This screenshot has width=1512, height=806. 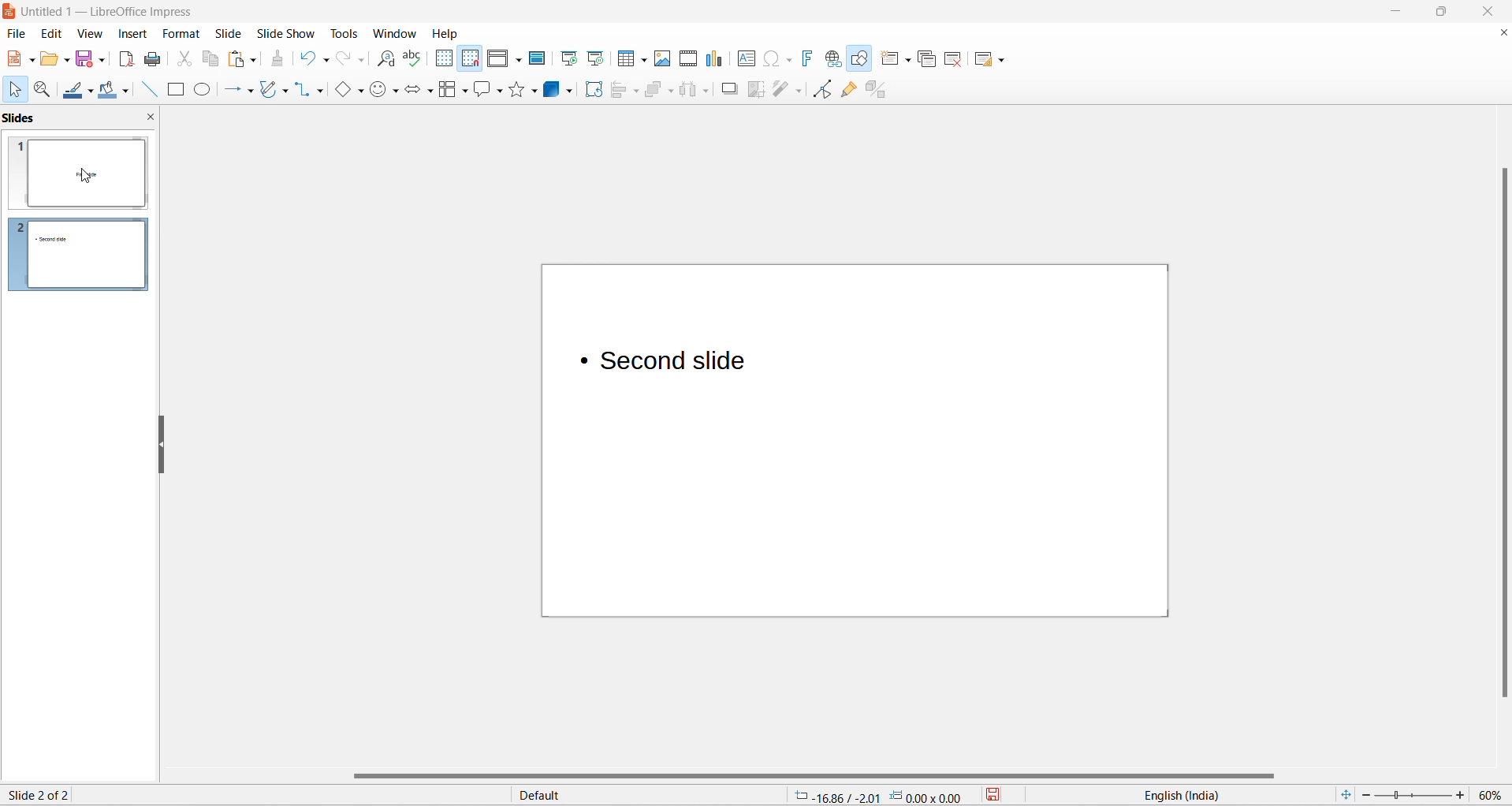 What do you see at coordinates (1503, 434) in the screenshot?
I see `vertical scroll bar` at bounding box center [1503, 434].